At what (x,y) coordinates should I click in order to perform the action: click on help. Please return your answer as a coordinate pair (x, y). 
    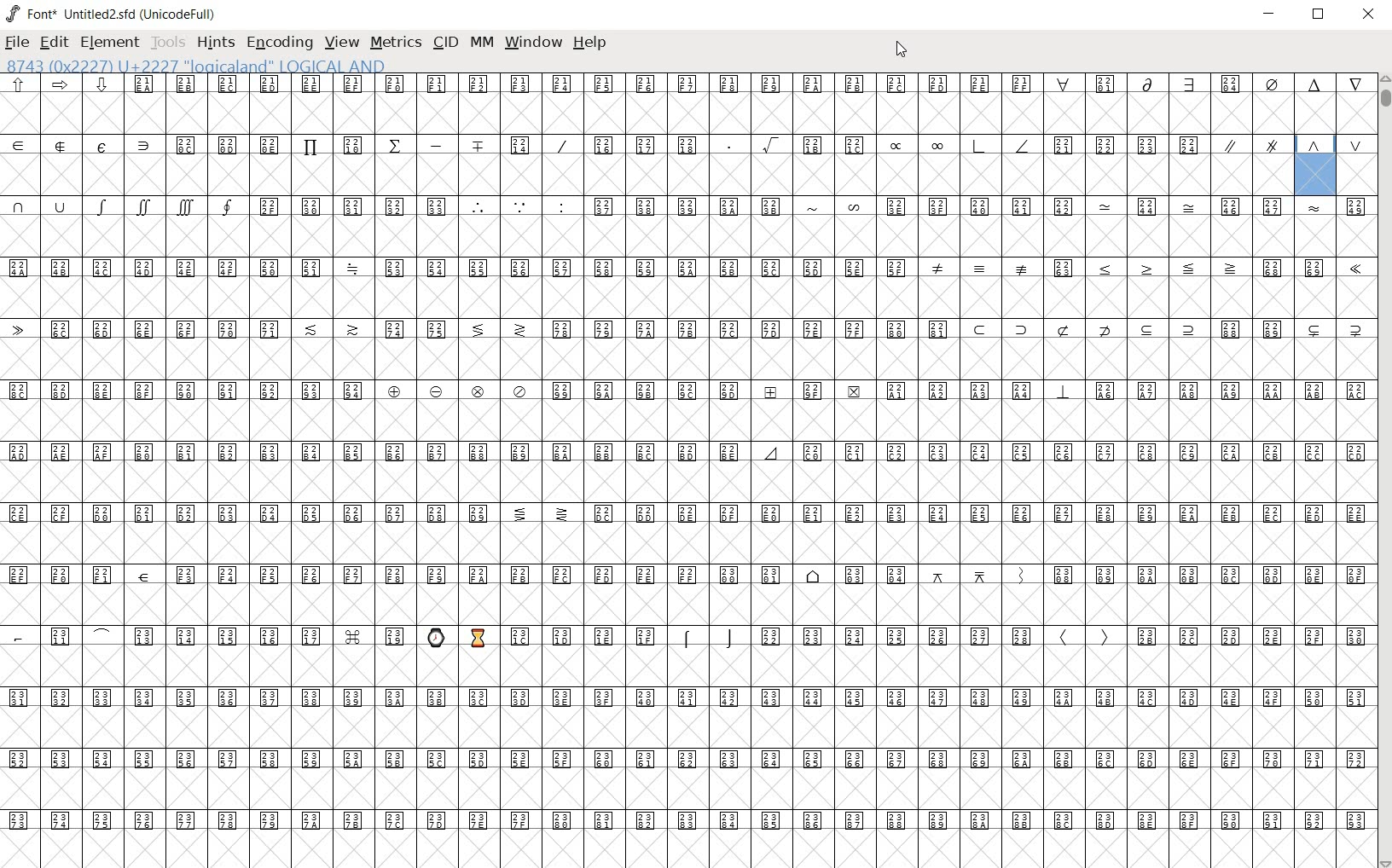
    Looking at the image, I should click on (589, 43).